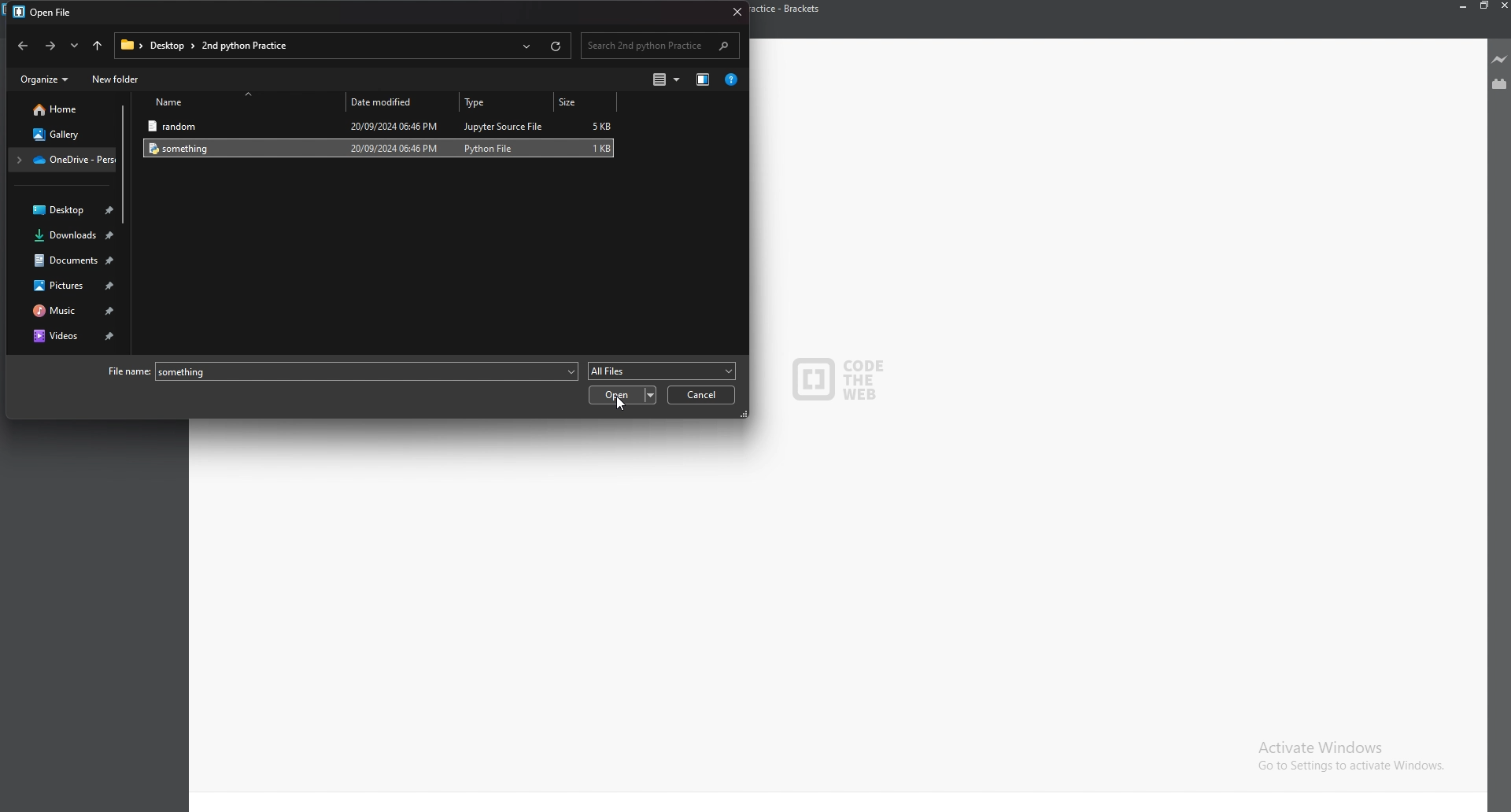 The width and height of the screenshot is (1511, 812). Describe the element at coordinates (659, 46) in the screenshot. I see `search bar` at that location.